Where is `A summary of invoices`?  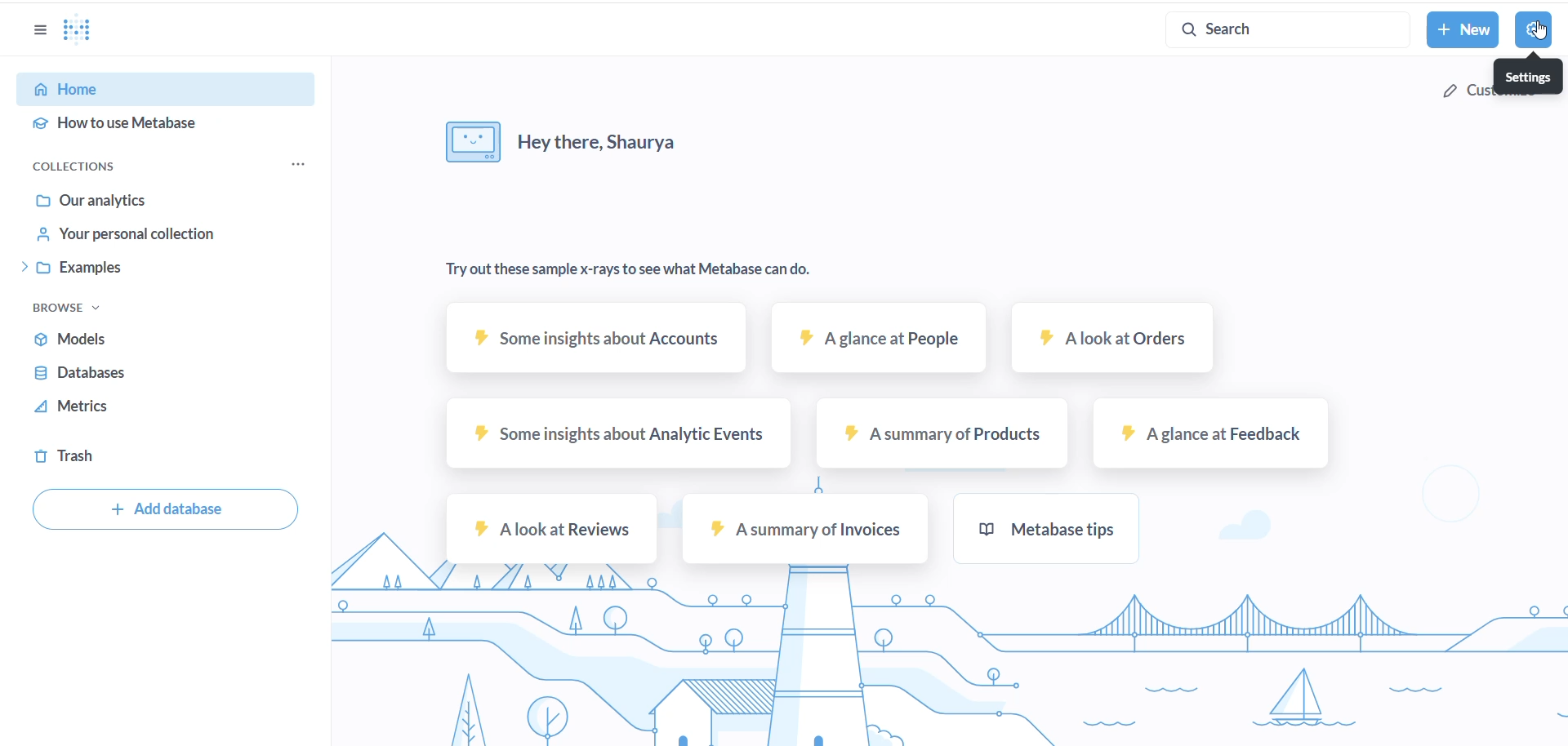
A summary of invoices is located at coordinates (805, 531).